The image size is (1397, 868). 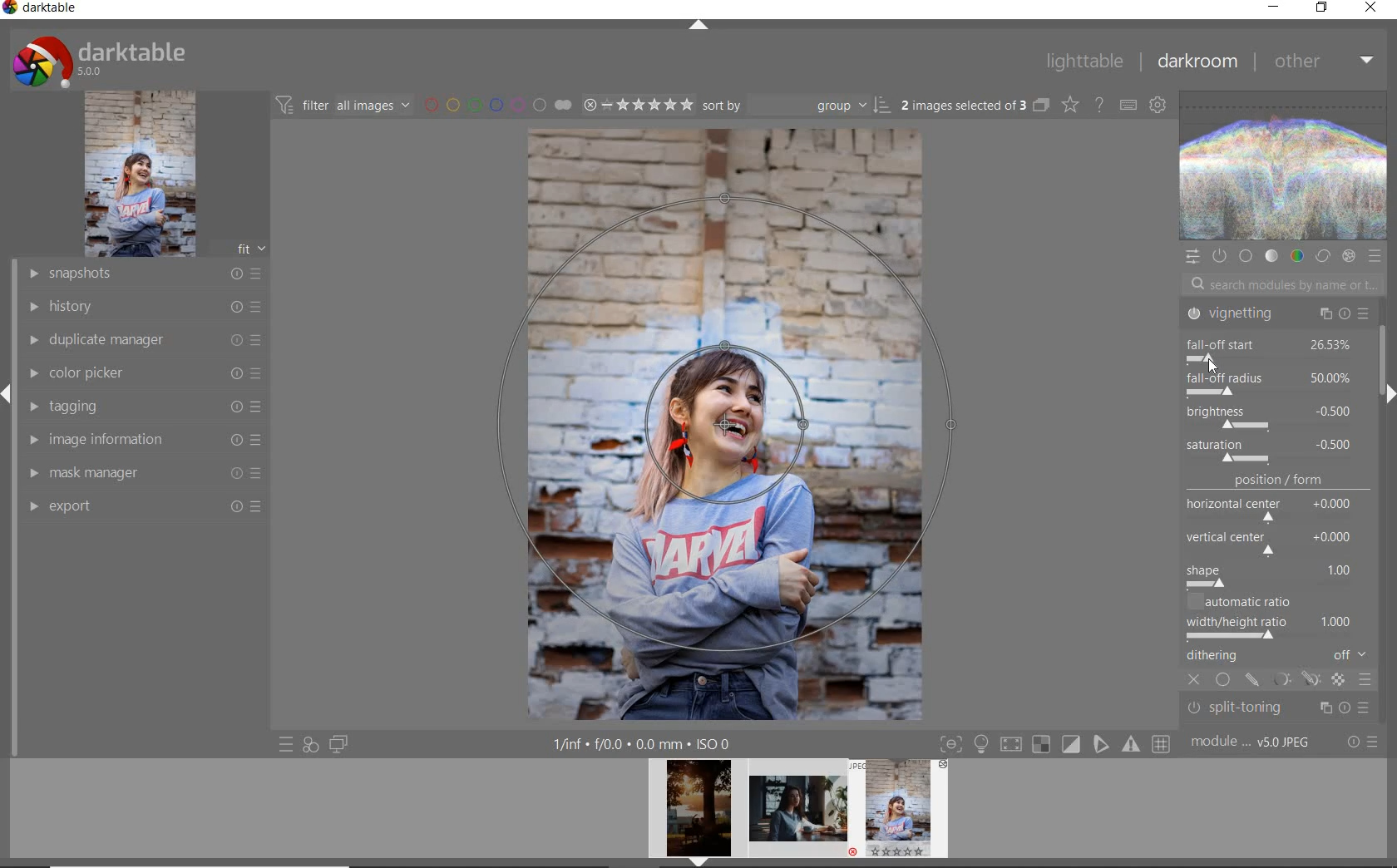 What do you see at coordinates (1069, 104) in the screenshot?
I see `CHANGE TYPE OF OVERLAYS` at bounding box center [1069, 104].